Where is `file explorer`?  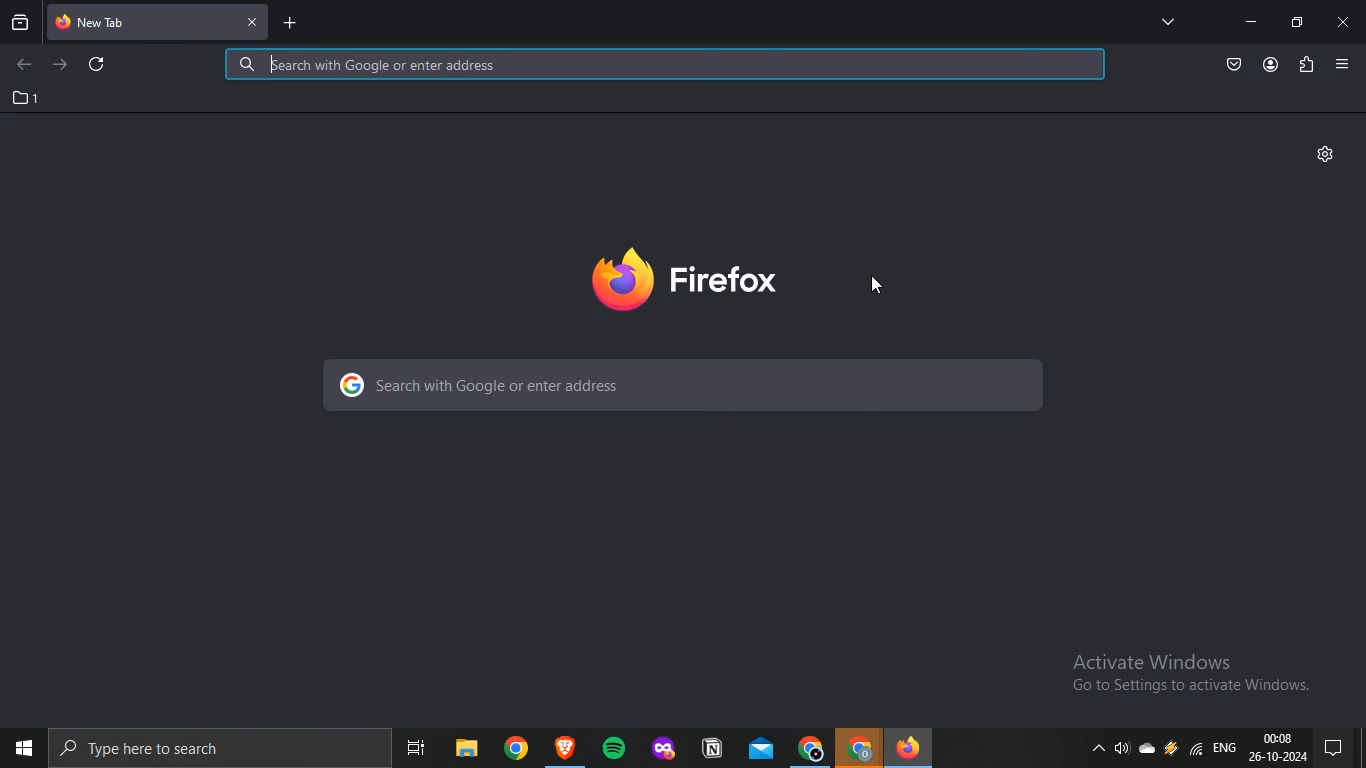 file explorer is located at coordinates (464, 744).